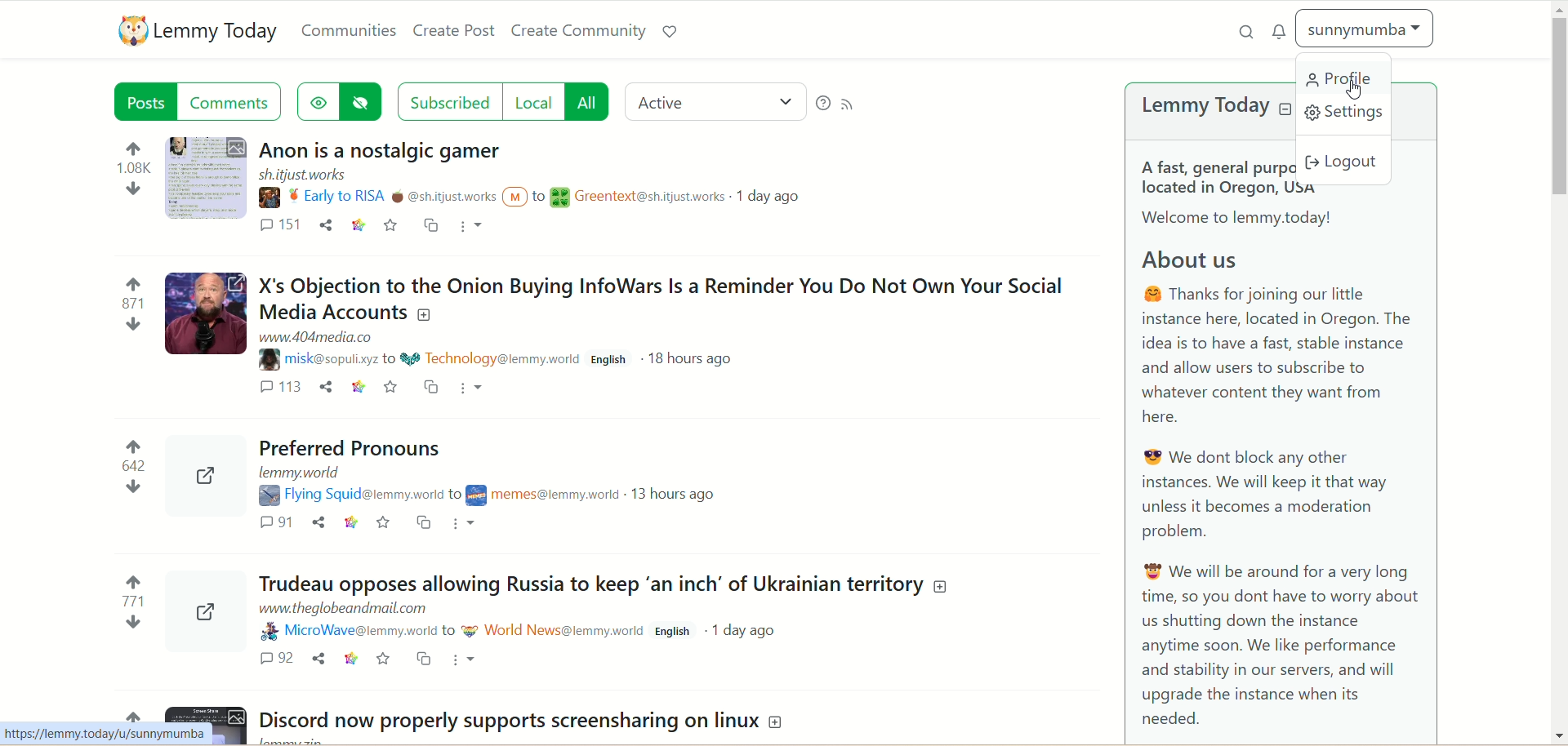 Image resolution: width=1568 pixels, height=746 pixels. What do you see at coordinates (203, 307) in the screenshot?
I see `Image of the post that can be expanded` at bounding box center [203, 307].